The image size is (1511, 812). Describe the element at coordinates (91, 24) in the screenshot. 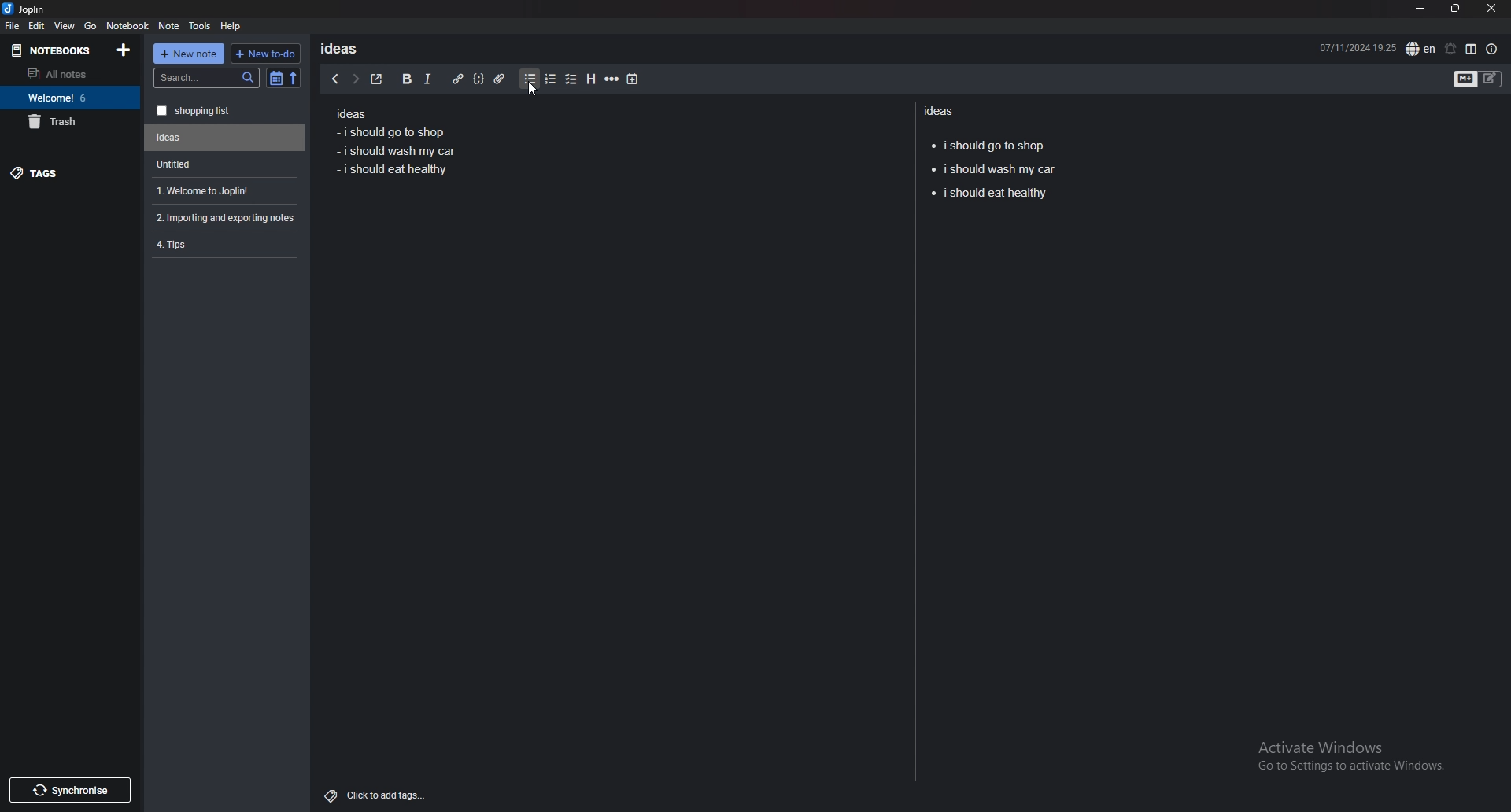

I see `go` at that location.